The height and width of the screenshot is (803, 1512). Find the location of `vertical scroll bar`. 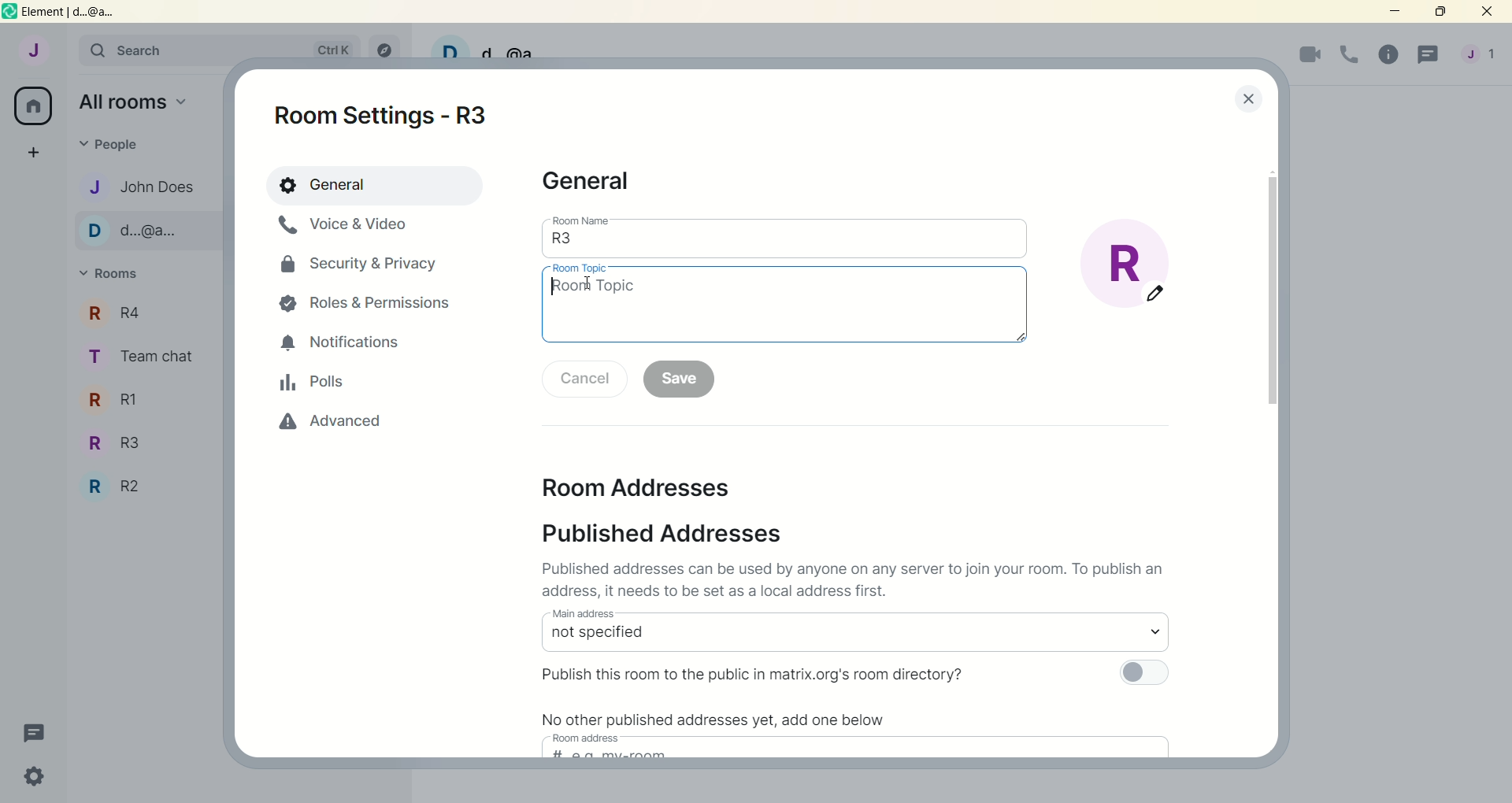

vertical scroll bar is located at coordinates (1269, 292).